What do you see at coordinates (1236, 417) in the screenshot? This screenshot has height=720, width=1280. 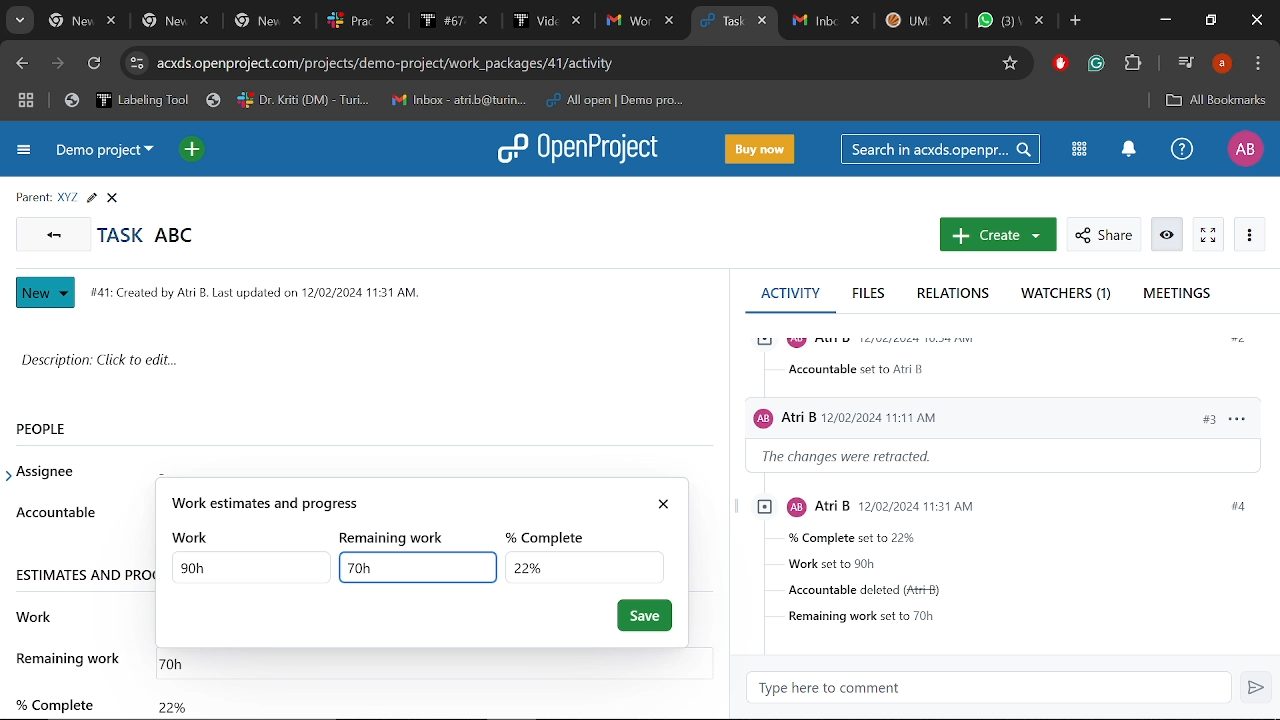 I see `options` at bounding box center [1236, 417].